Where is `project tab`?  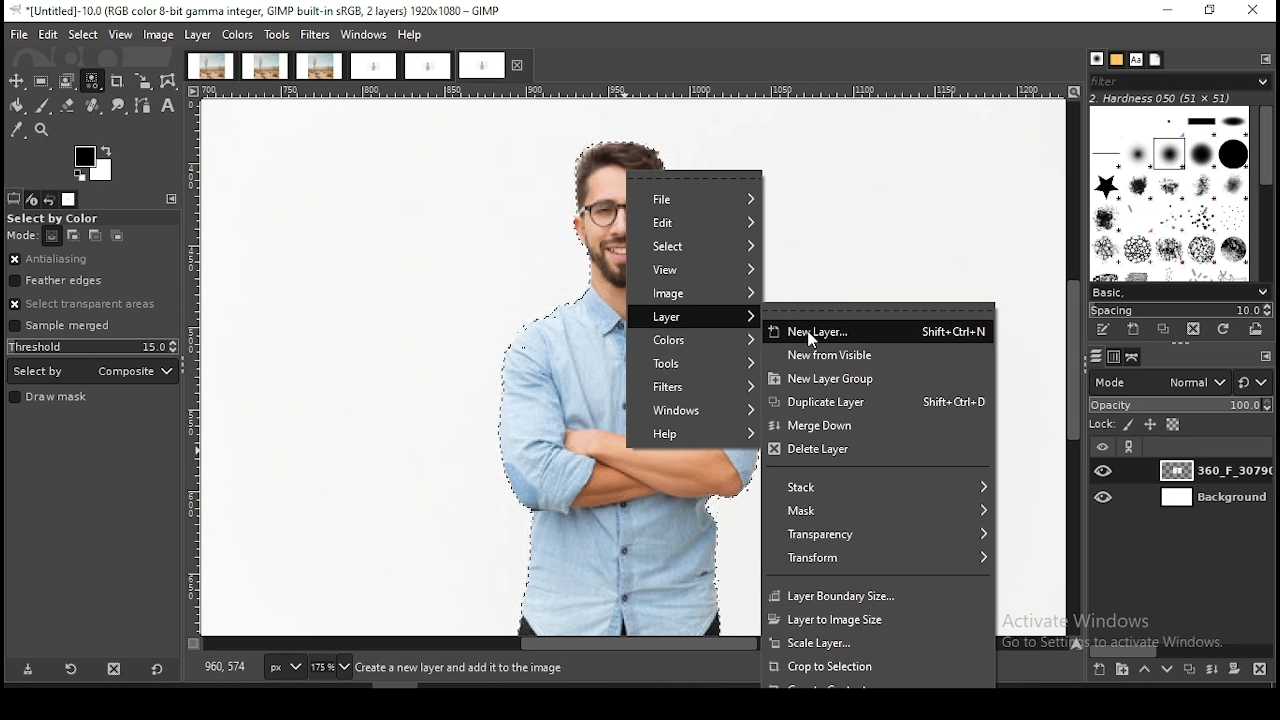
project tab is located at coordinates (428, 67).